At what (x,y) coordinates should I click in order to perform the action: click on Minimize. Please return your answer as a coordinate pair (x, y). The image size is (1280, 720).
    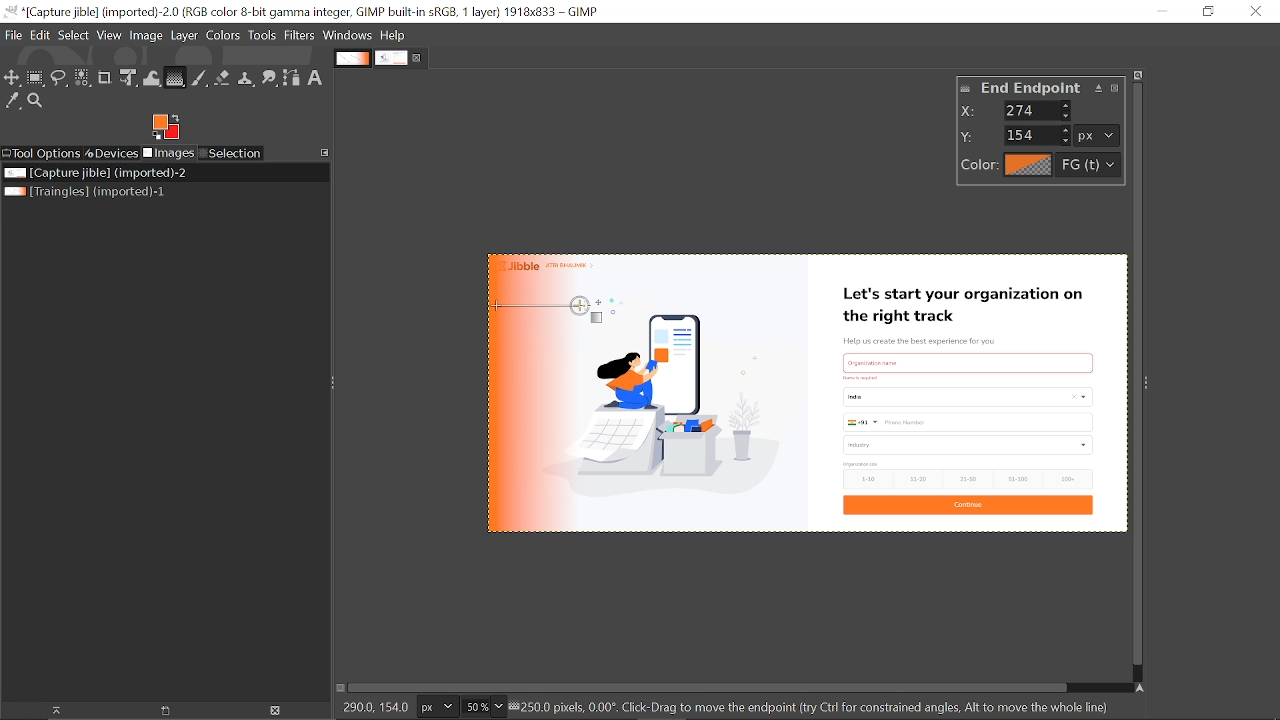
    Looking at the image, I should click on (1164, 12).